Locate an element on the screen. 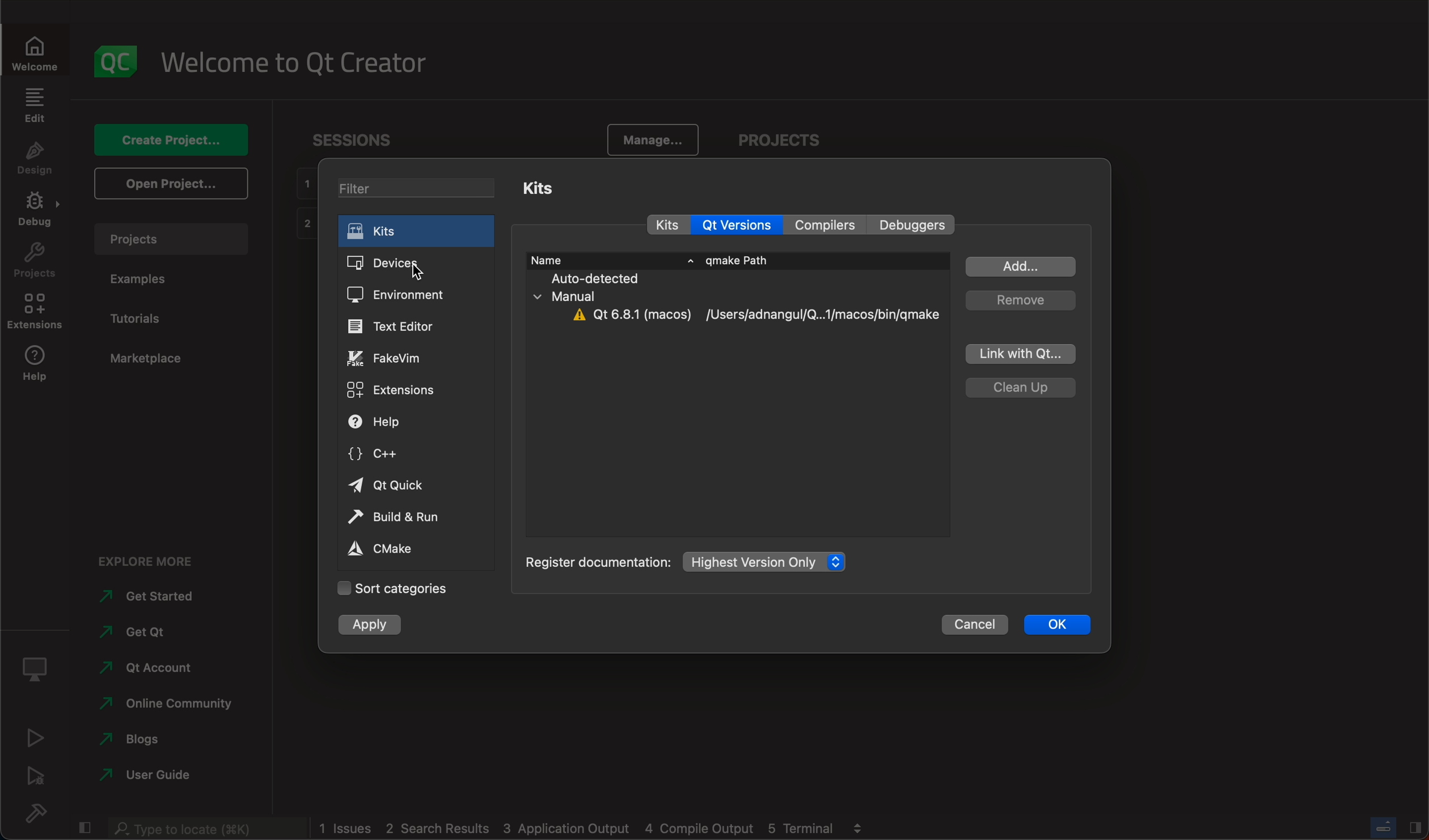 This screenshot has width=1429, height=840. qmake path is located at coordinates (738, 260).